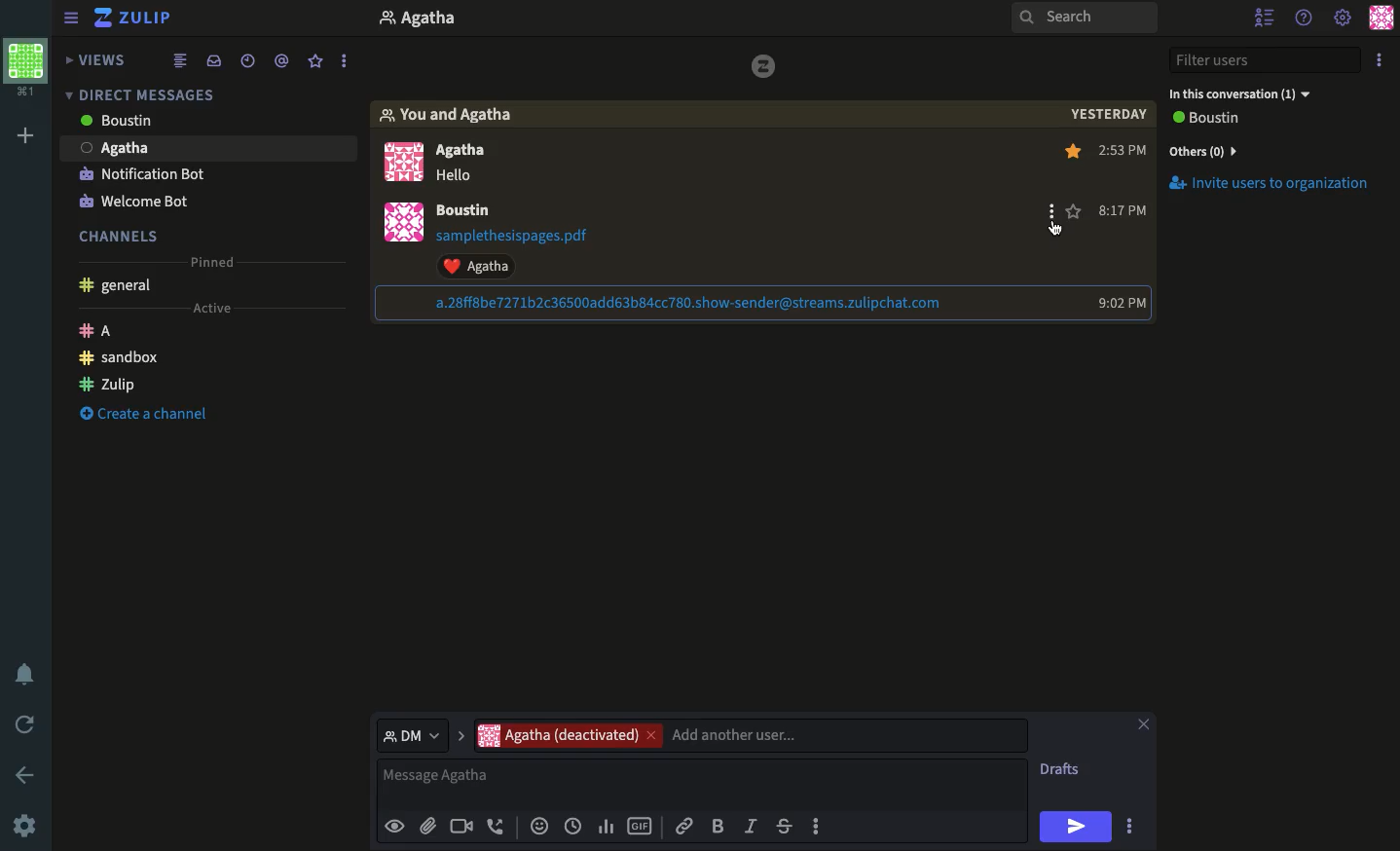  I want to click on Video, so click(460, 828).